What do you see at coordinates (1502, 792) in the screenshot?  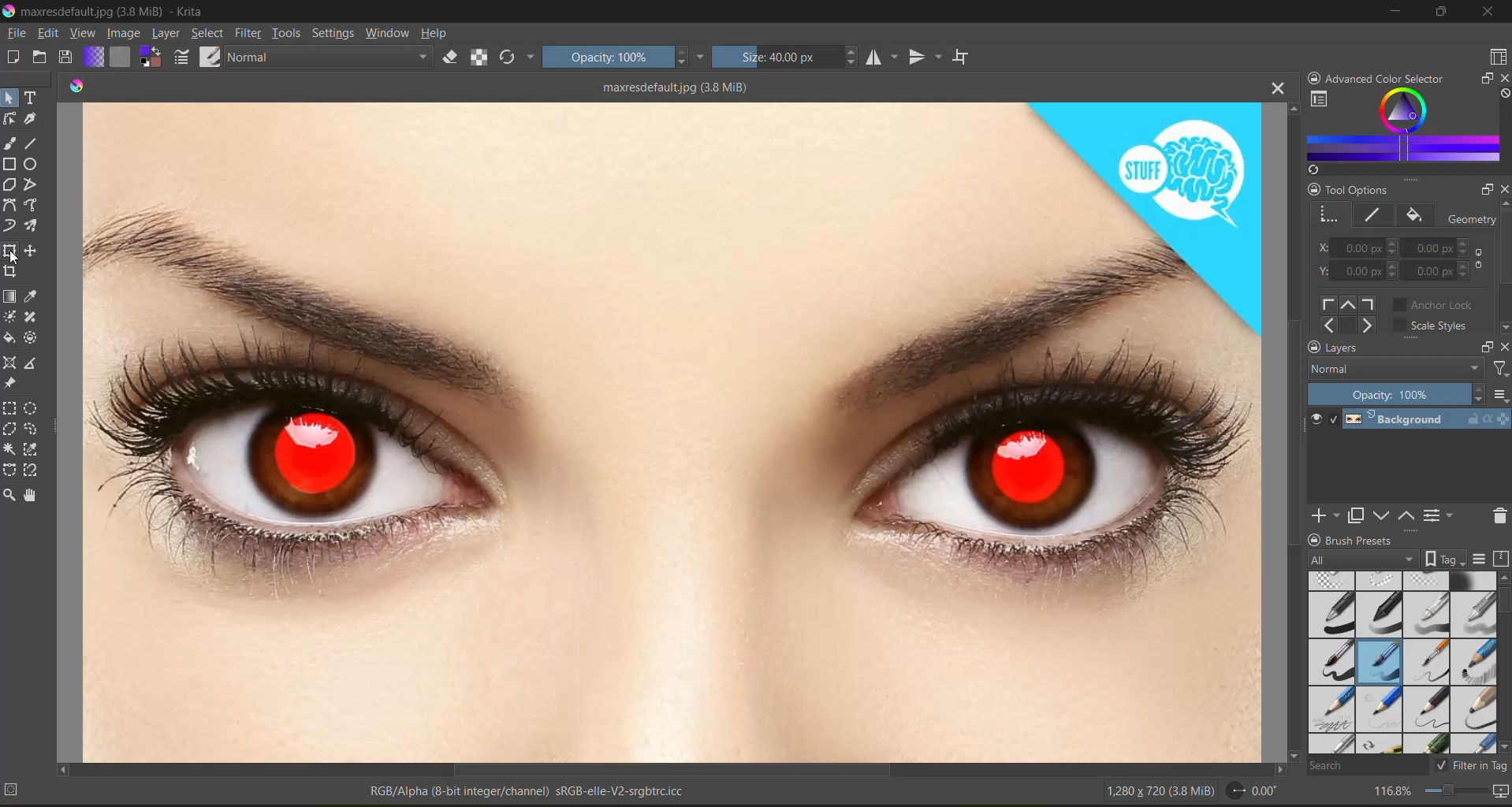 I see `map the canvas` at bounding box center [1502, 792].